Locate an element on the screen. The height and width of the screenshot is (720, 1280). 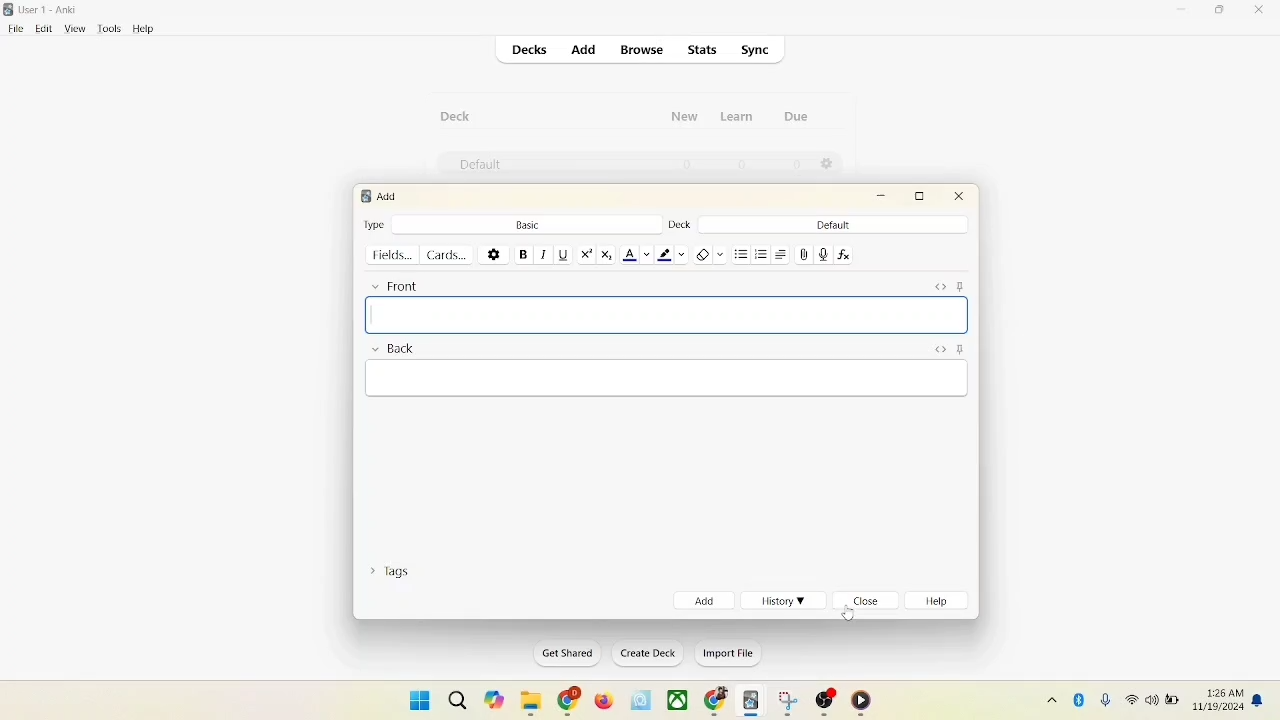
HTML editor is located at coordinates (940, 286).